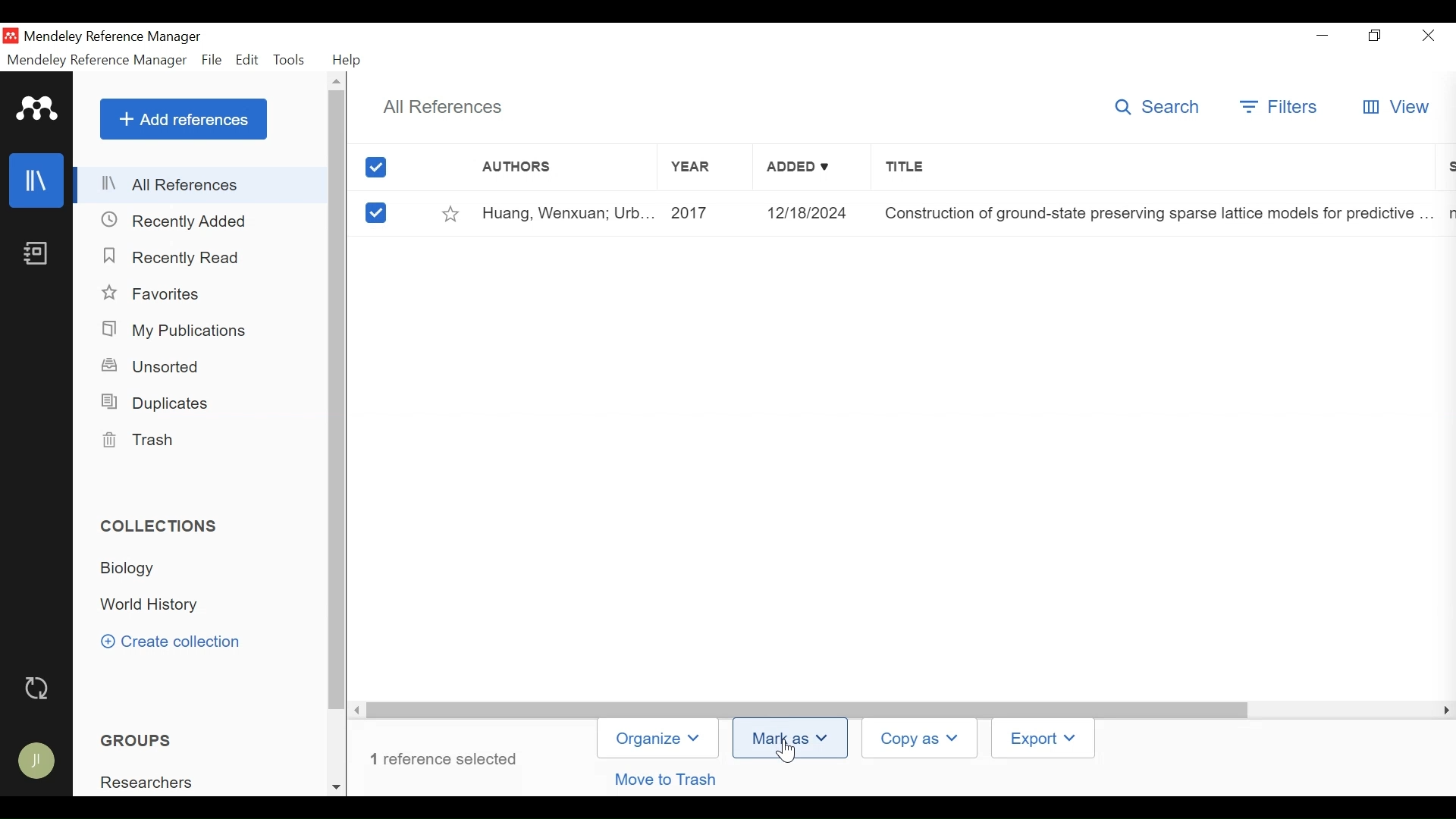 The width and height of the screenshot is (1456, 819). What do you see at coordinates (658, 737) in the screenshot?
I see `Organize` at bounding box center [658, 737].